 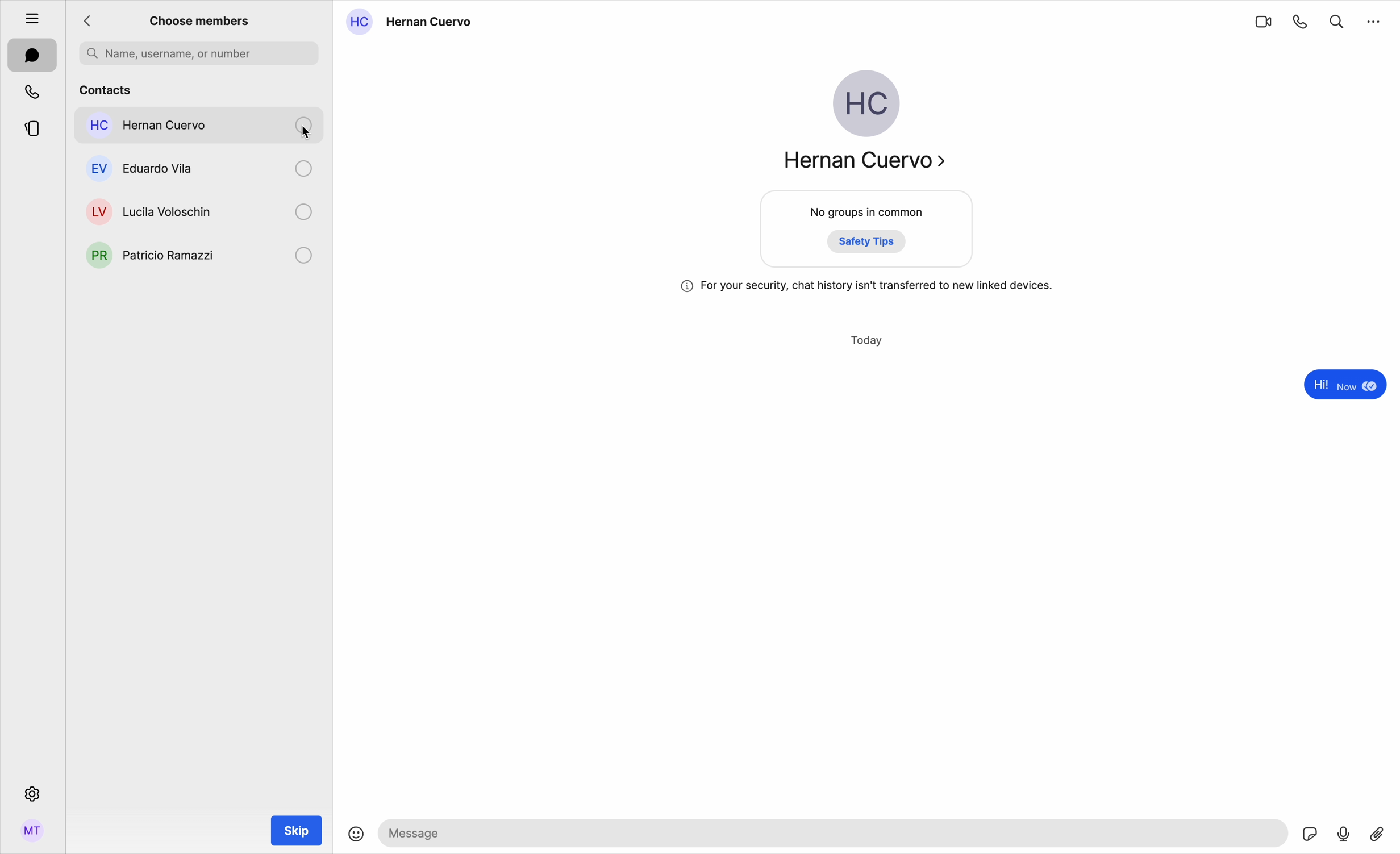 What do you see at coordinates (1301, 21) in the screenshot?
I see `call` at bounding box center [1301, 21].